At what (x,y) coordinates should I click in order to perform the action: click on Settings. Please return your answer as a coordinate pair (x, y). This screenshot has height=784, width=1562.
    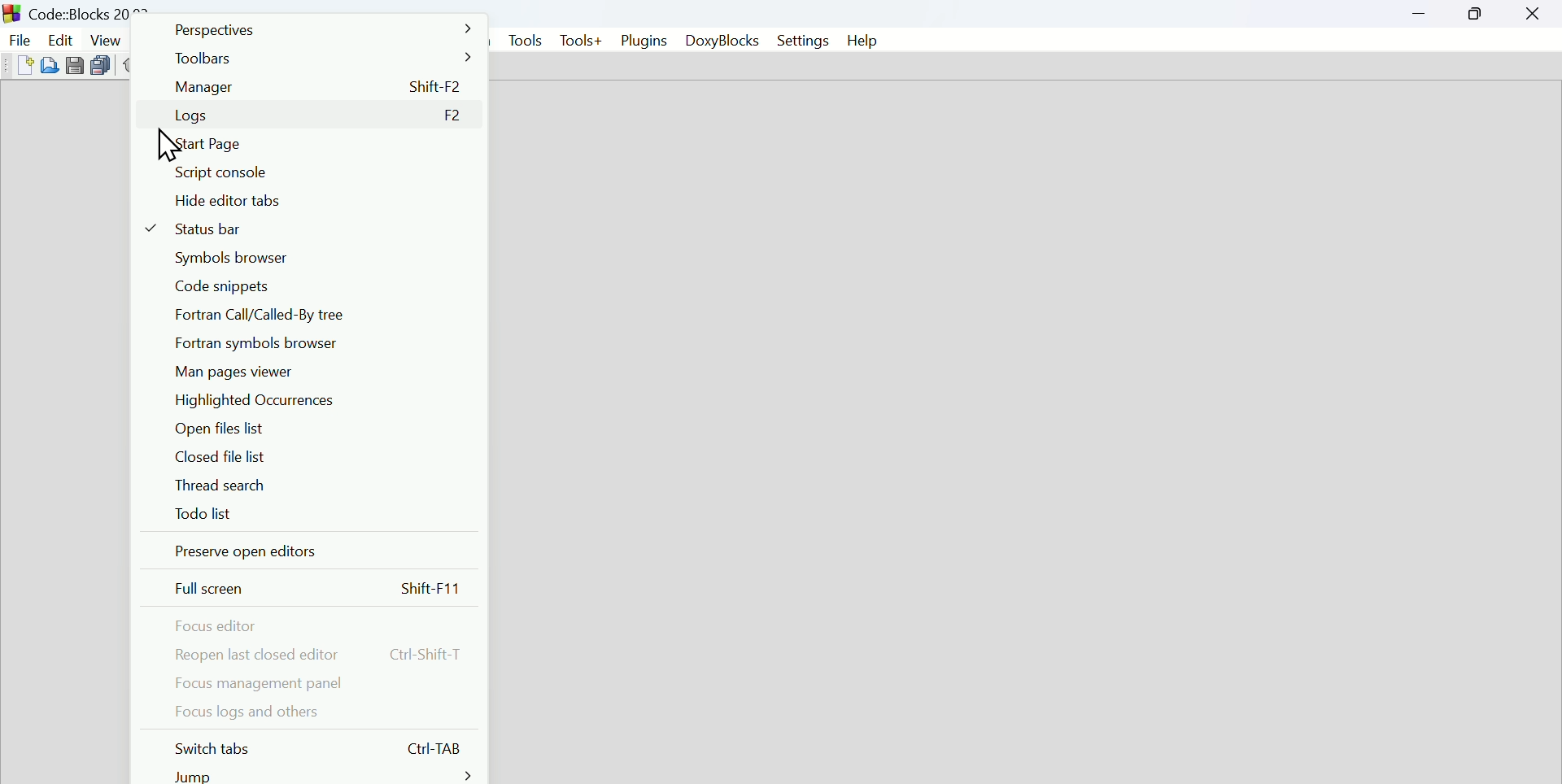
    Looking at the image, I should click on (802, 40).